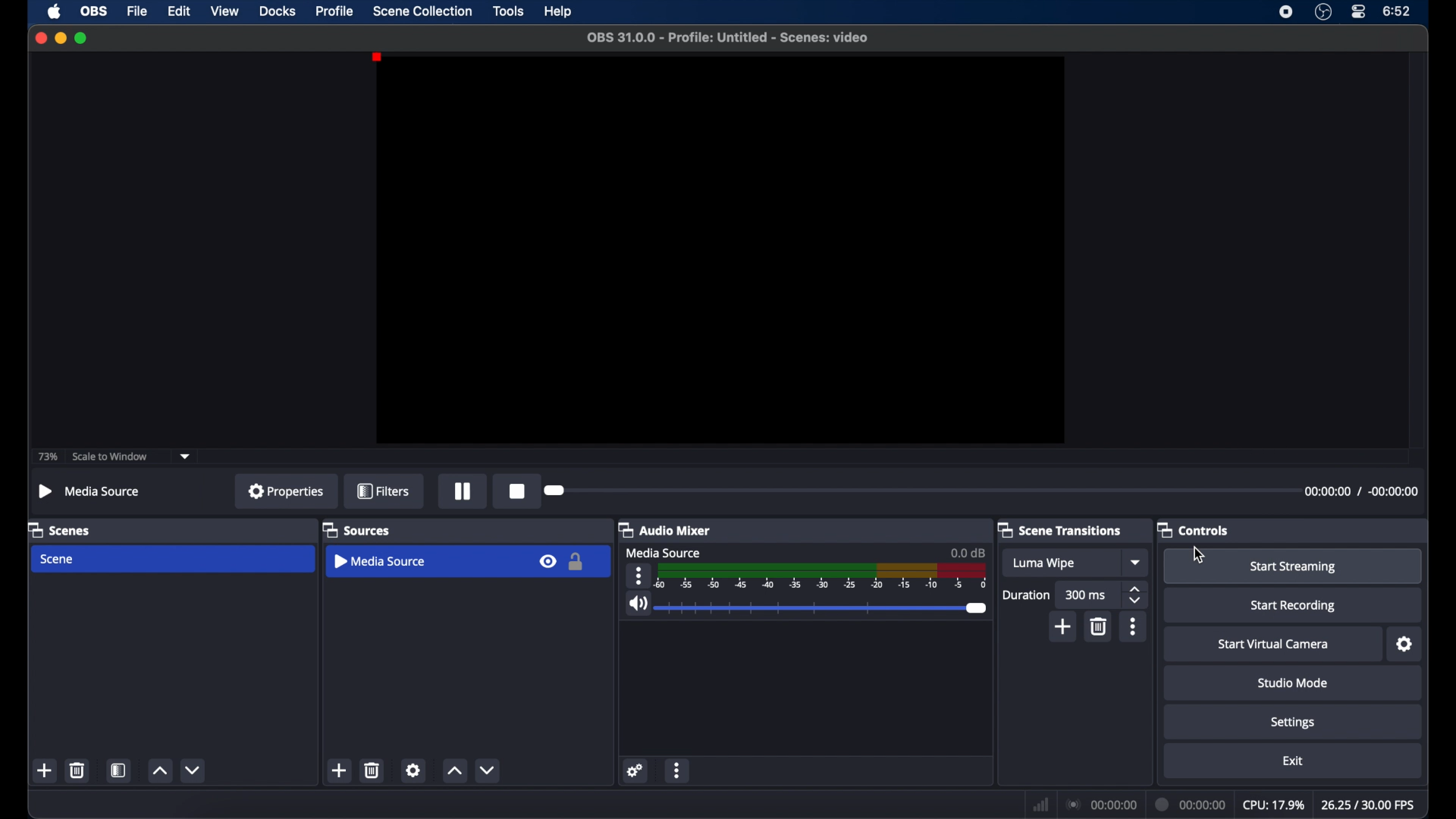 The width and height of the screenshot is (1456, 819). What do you see at coordinates (1357, 12) in the screenshot?
I see `control center` at bounding box center [1357, 12].